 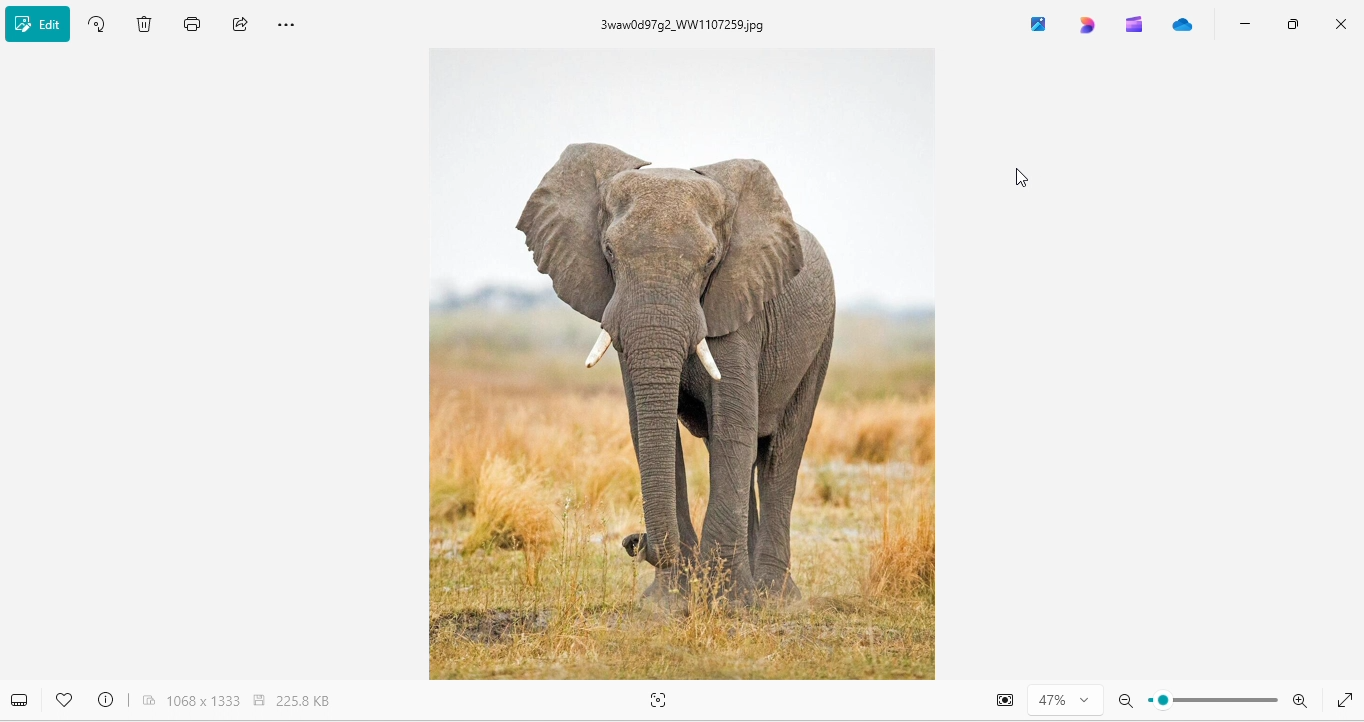 I want to click on Zoom percentage, so click(x=1065, y=698).